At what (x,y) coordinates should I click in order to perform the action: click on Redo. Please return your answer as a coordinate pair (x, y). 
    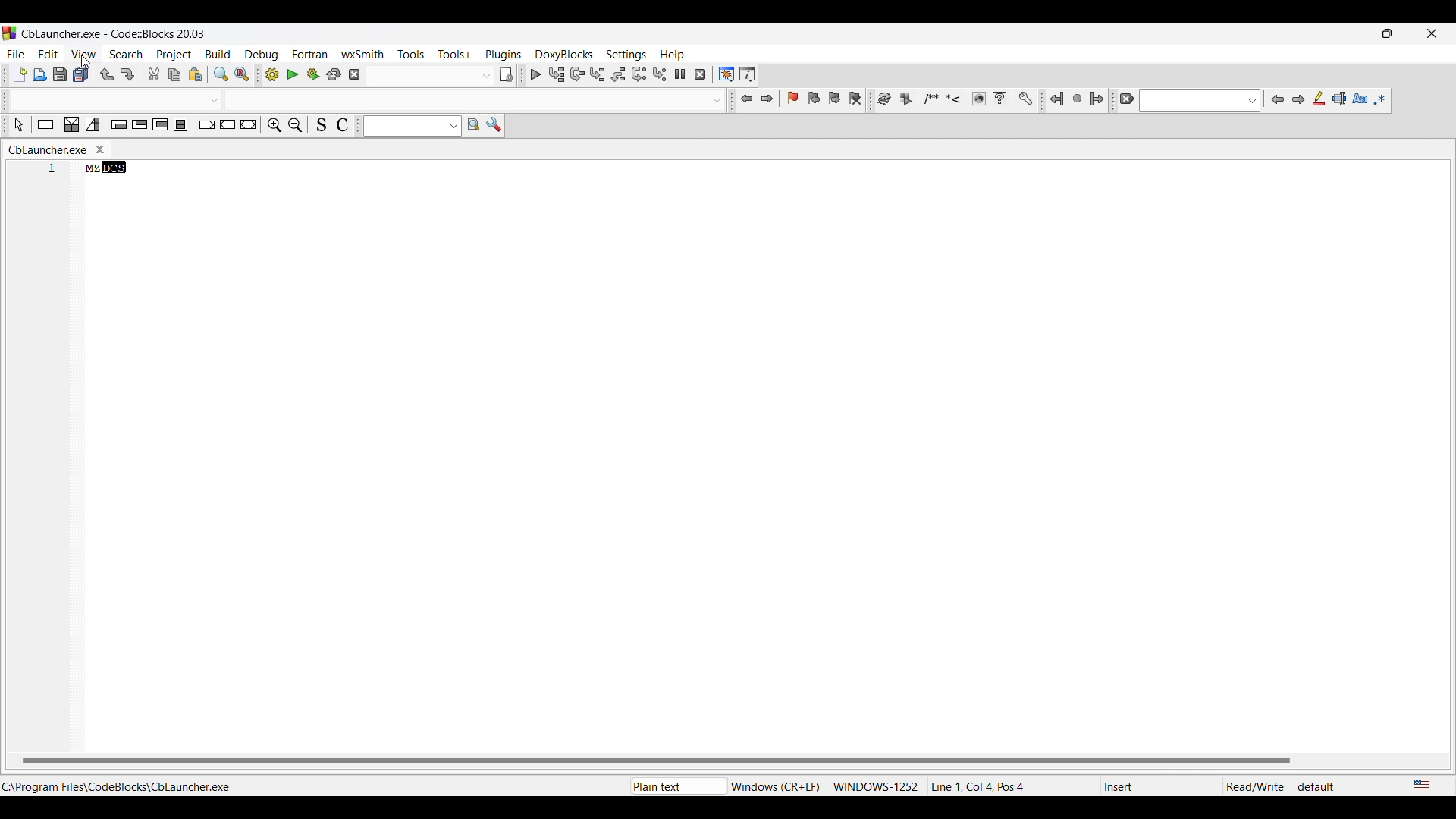
    Looking at the image, I should click on (127, 74).